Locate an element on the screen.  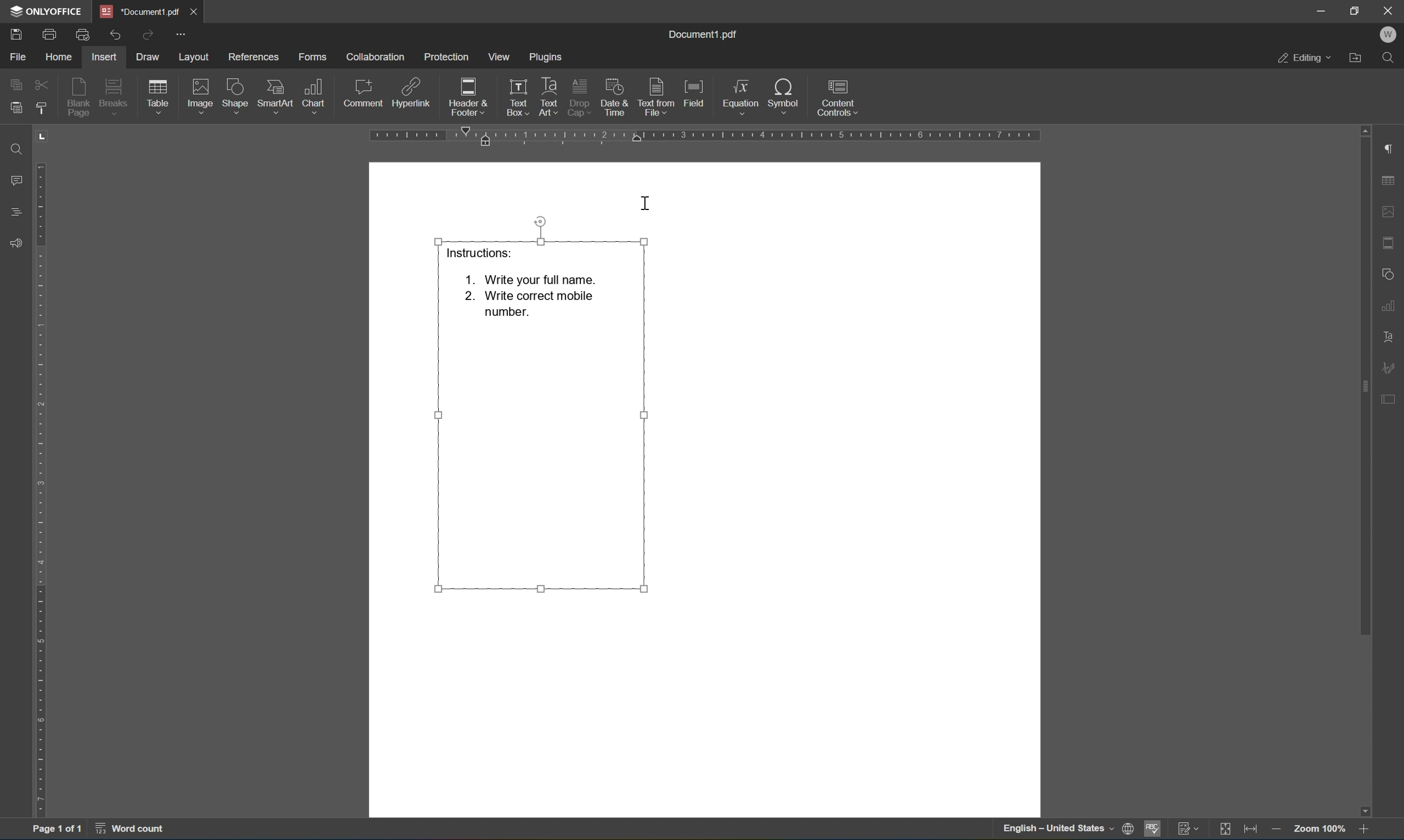
english - united states is located at coordinates (1059, 830).